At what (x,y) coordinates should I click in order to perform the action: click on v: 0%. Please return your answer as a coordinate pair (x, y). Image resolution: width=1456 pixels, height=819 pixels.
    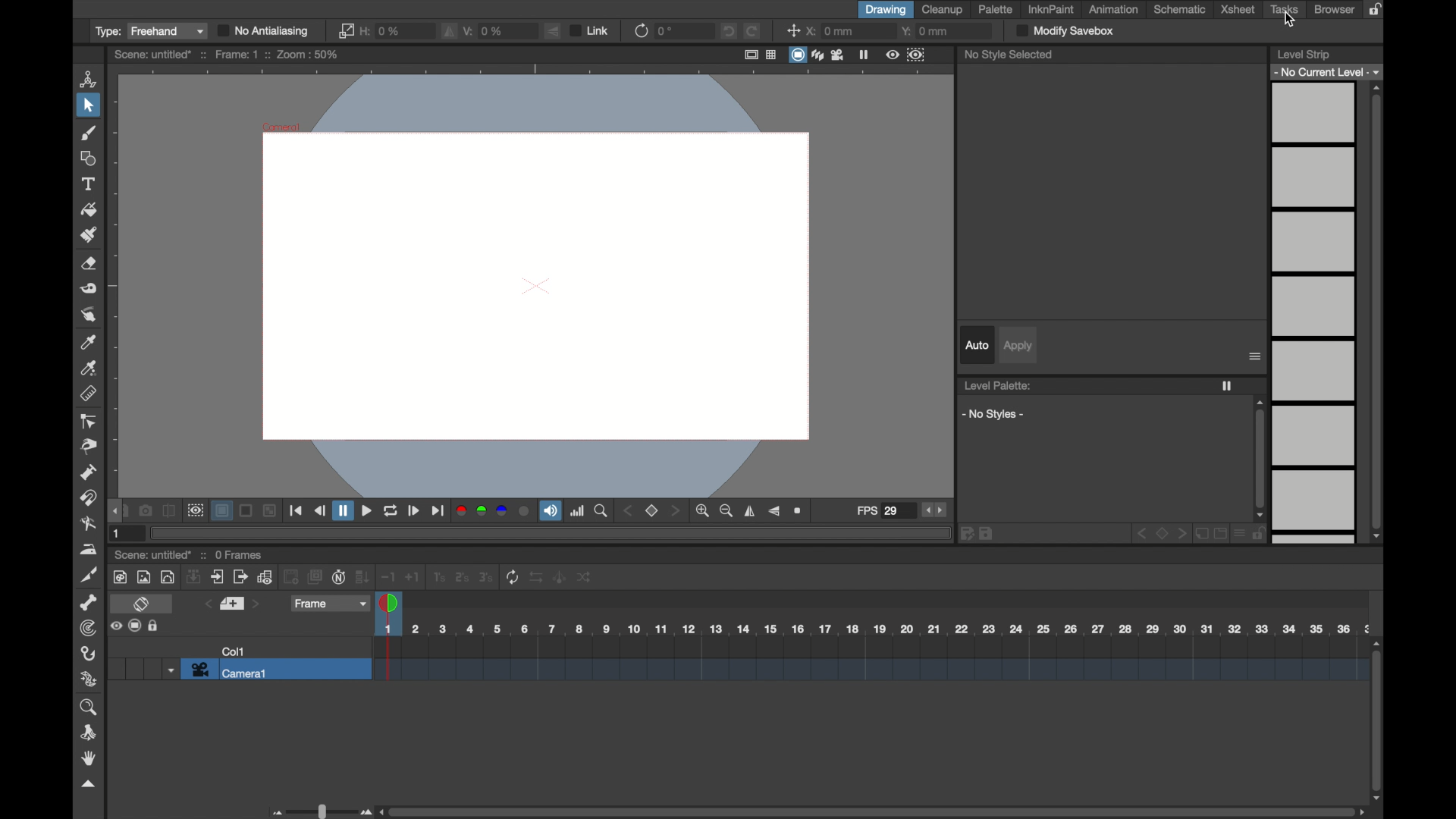
    Looking at the image, I should click on (485, 30).